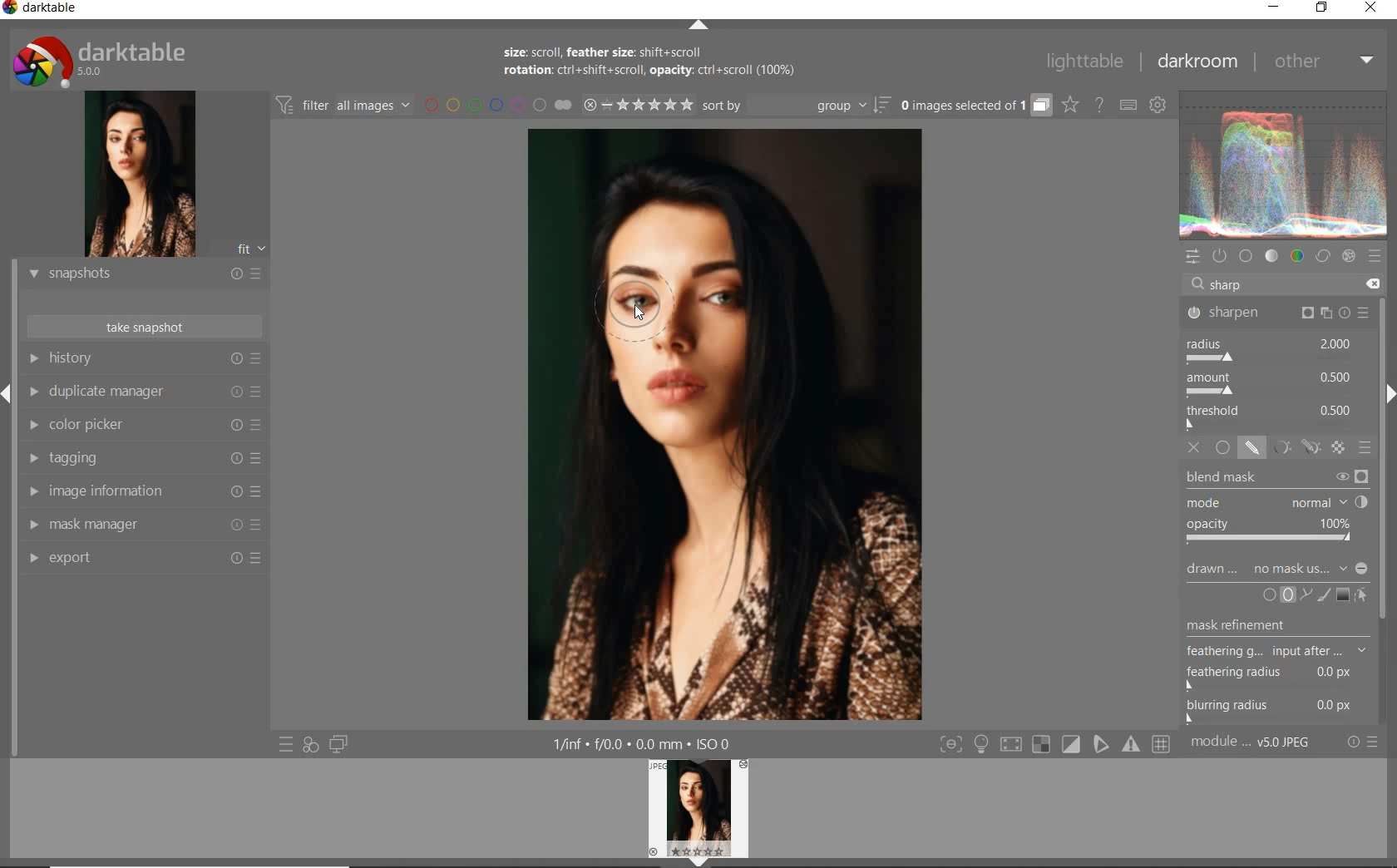  Describe the element at coordinates (1291, 568) in the screenshot. I see `no mask` at that location.